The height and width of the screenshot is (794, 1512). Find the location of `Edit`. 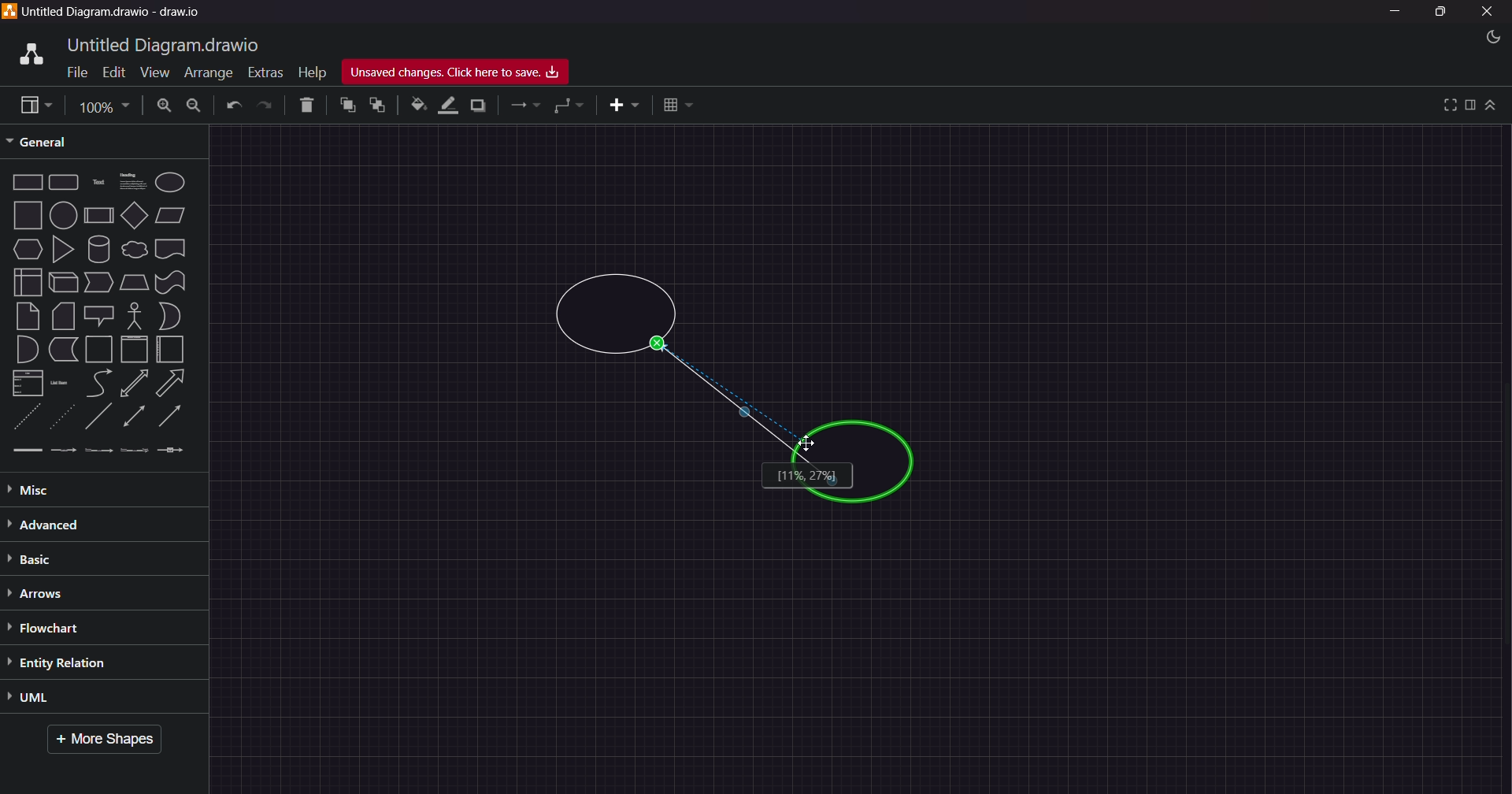

Edit is located at coordinates (110, 71).